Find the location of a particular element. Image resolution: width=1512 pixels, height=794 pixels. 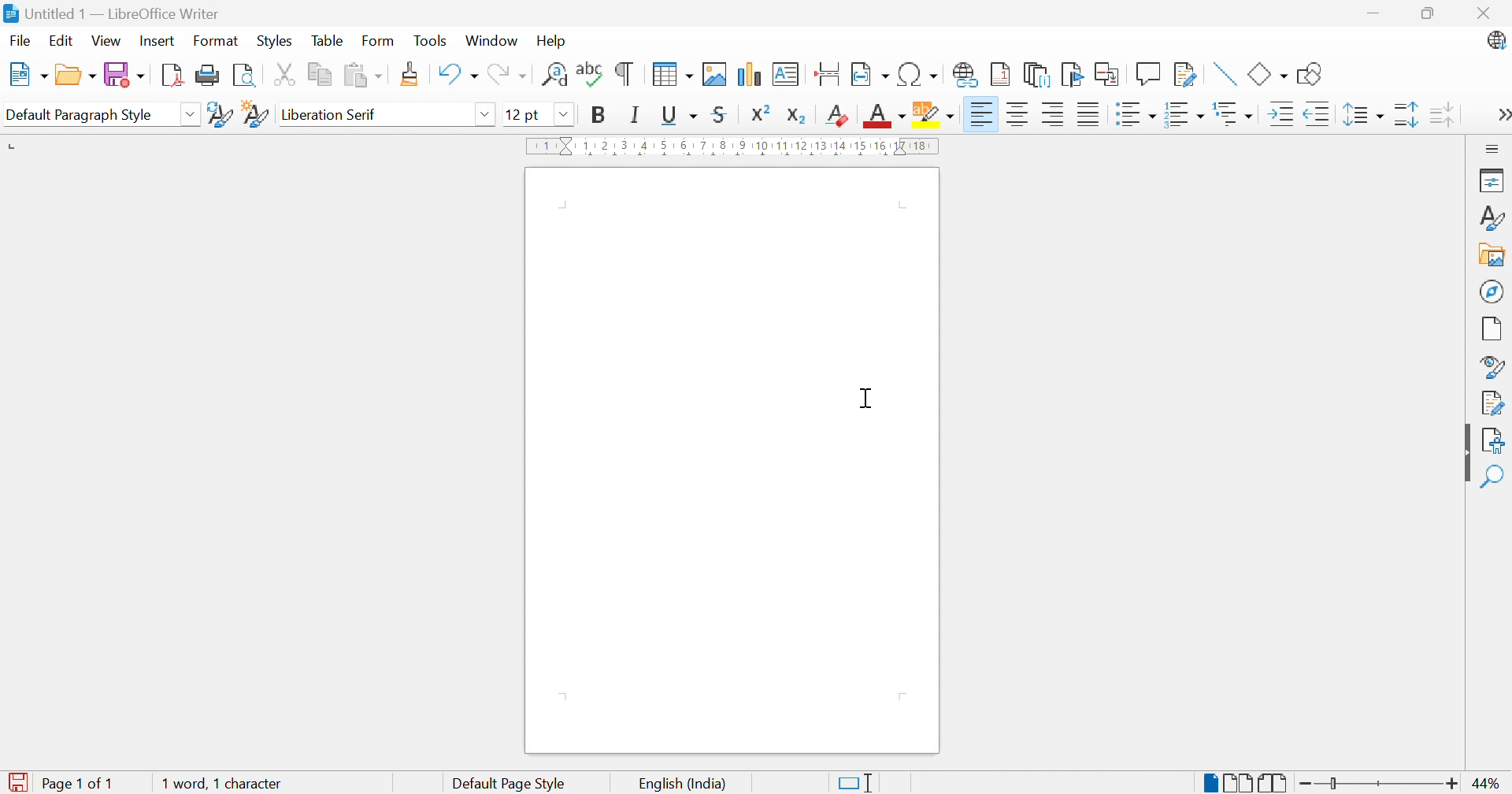

Character highlighting color is located at coordinates (934, 110).